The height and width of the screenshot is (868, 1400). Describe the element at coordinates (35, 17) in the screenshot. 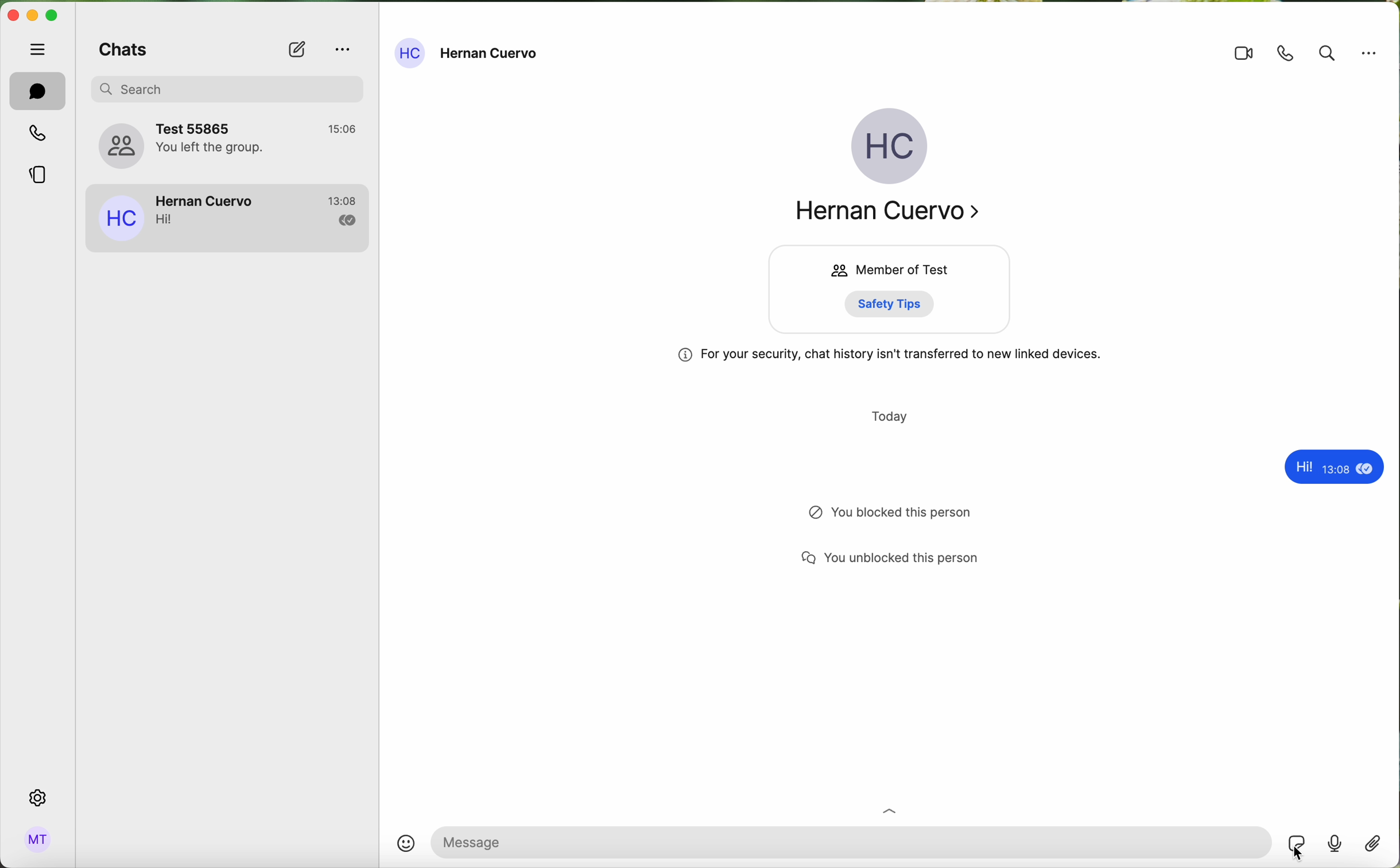

I see `screen buttons` at that location.